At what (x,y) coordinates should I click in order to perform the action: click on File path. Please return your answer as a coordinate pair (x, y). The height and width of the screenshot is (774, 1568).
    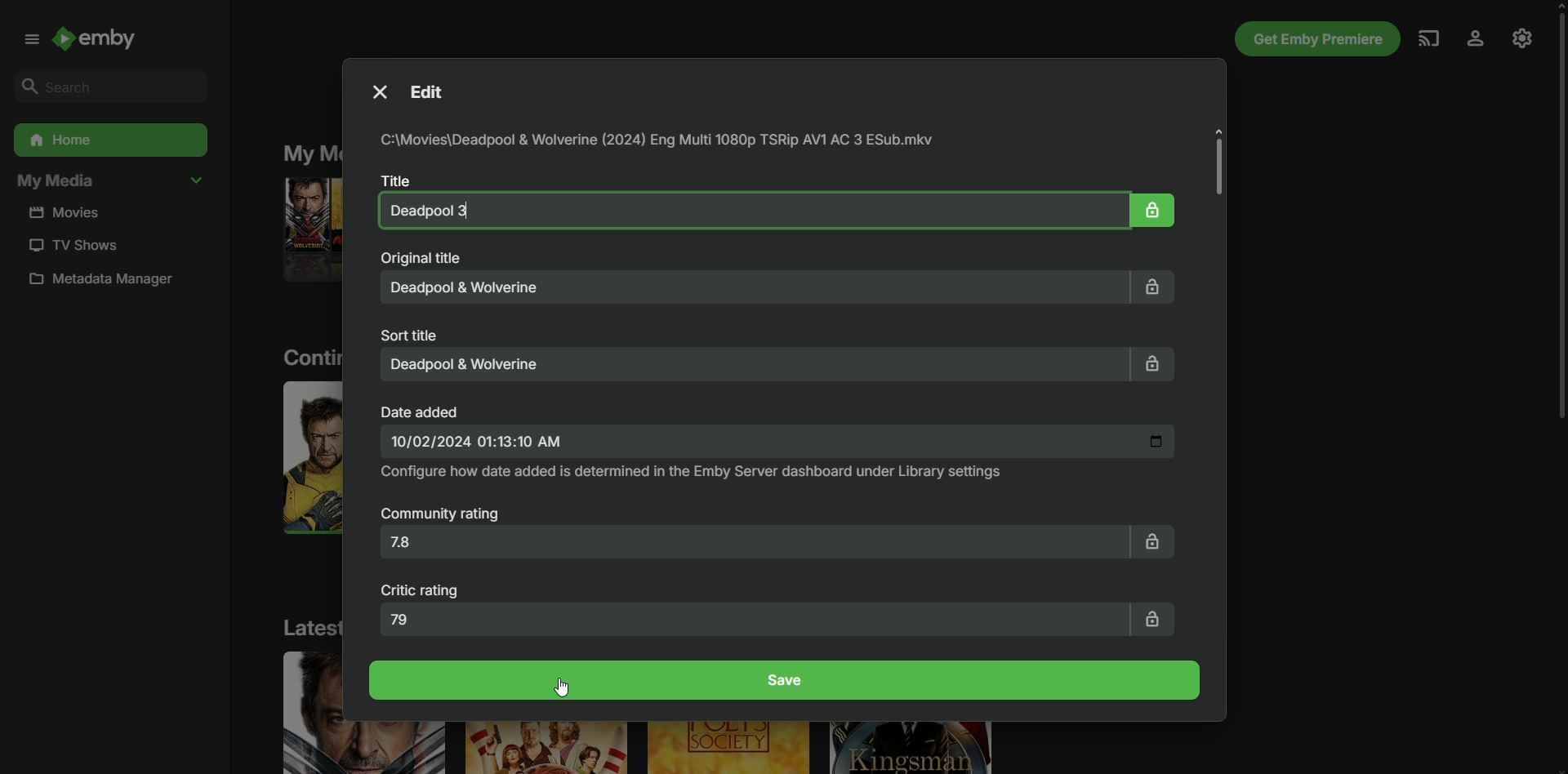
    Looking at the image, I should click on (663, 141).